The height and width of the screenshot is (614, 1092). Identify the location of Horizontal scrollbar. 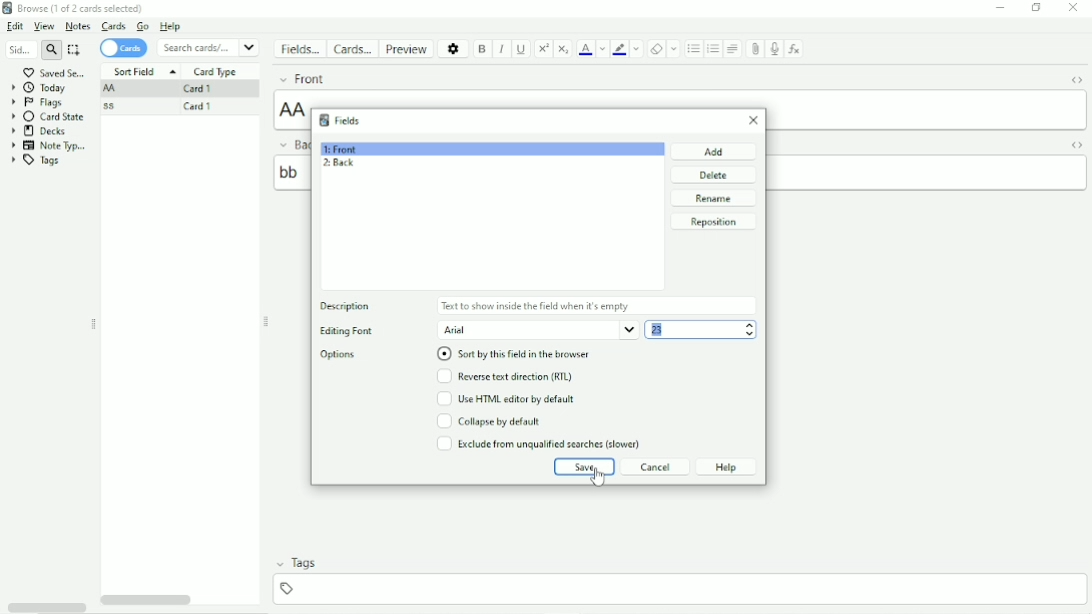
(46, 607).